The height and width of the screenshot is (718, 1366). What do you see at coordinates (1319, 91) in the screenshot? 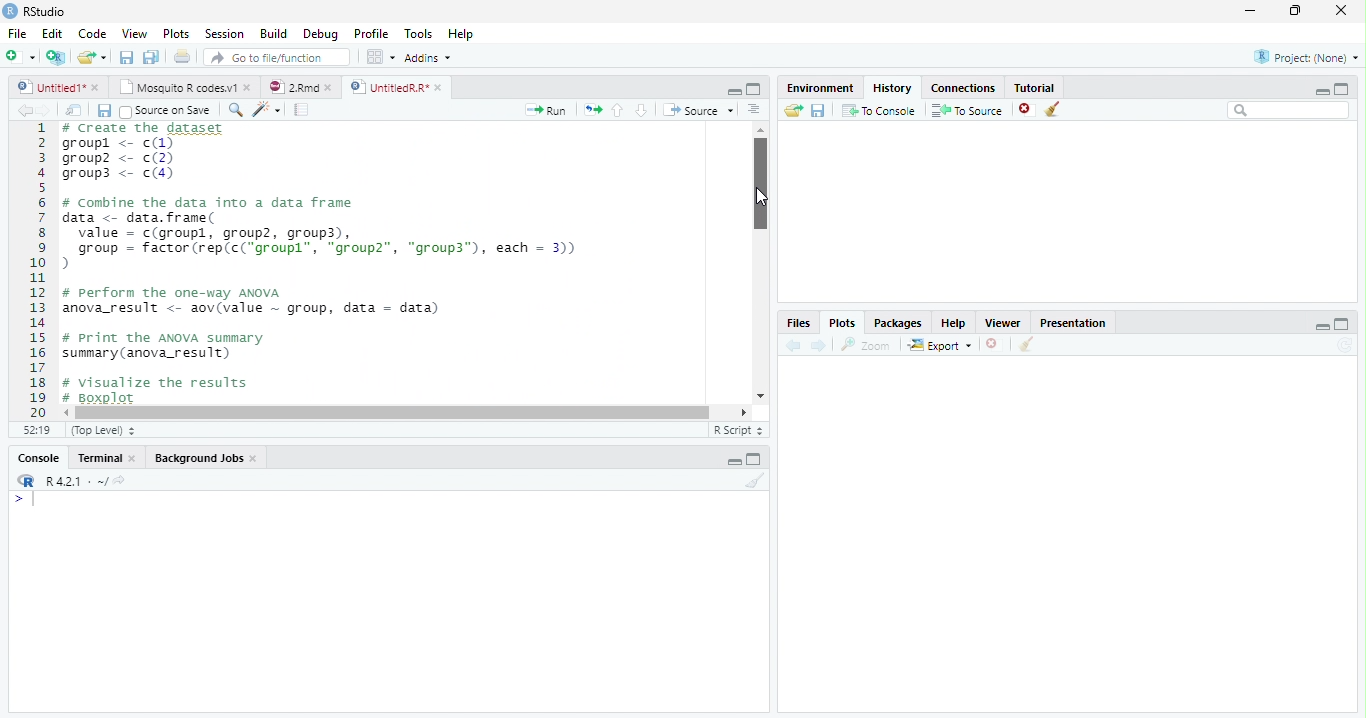
I see `Minimize` at bounding box center [1319, 91].